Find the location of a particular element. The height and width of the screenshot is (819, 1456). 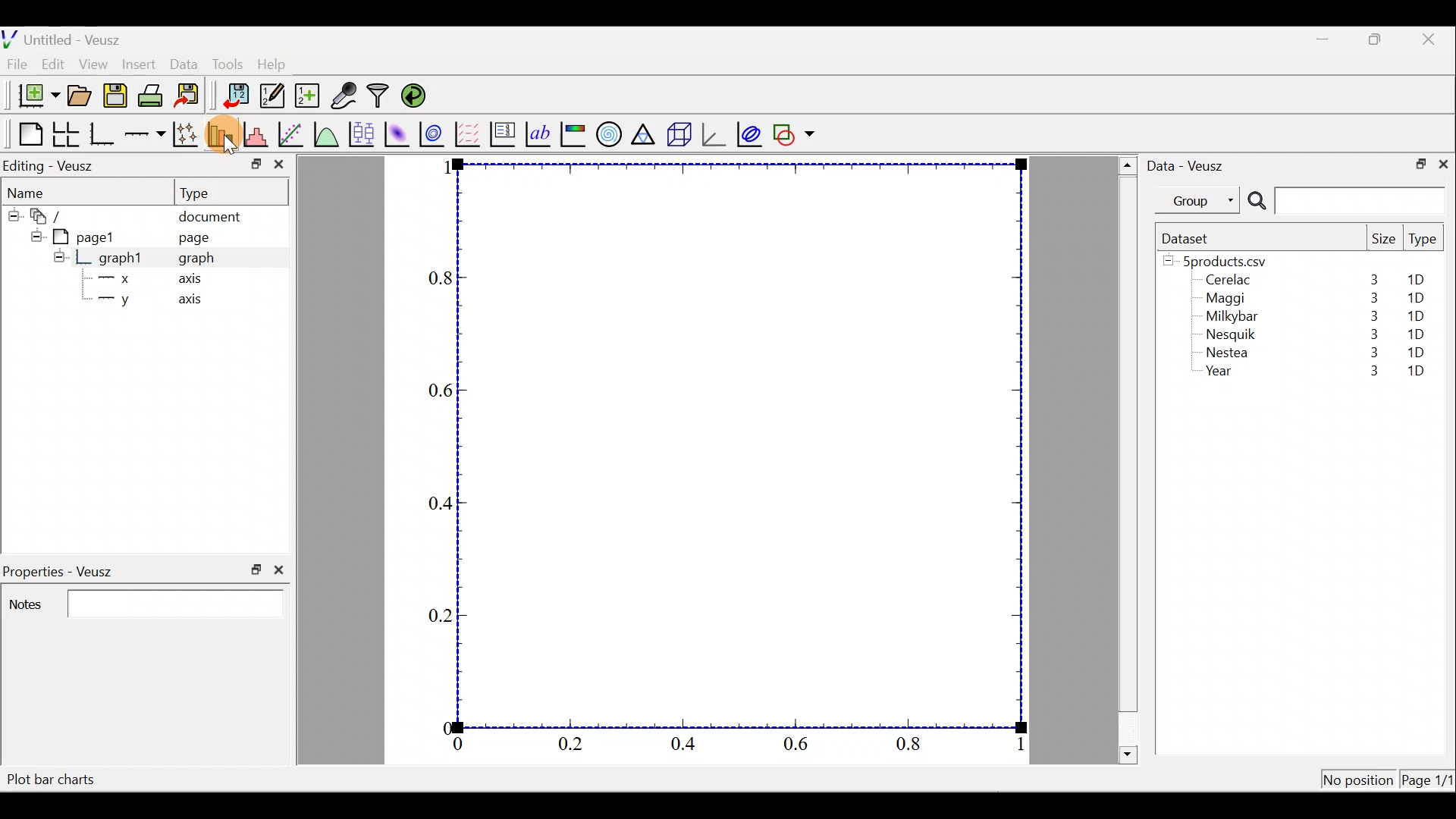

Cerelac is located at coordinates (1225, 281).